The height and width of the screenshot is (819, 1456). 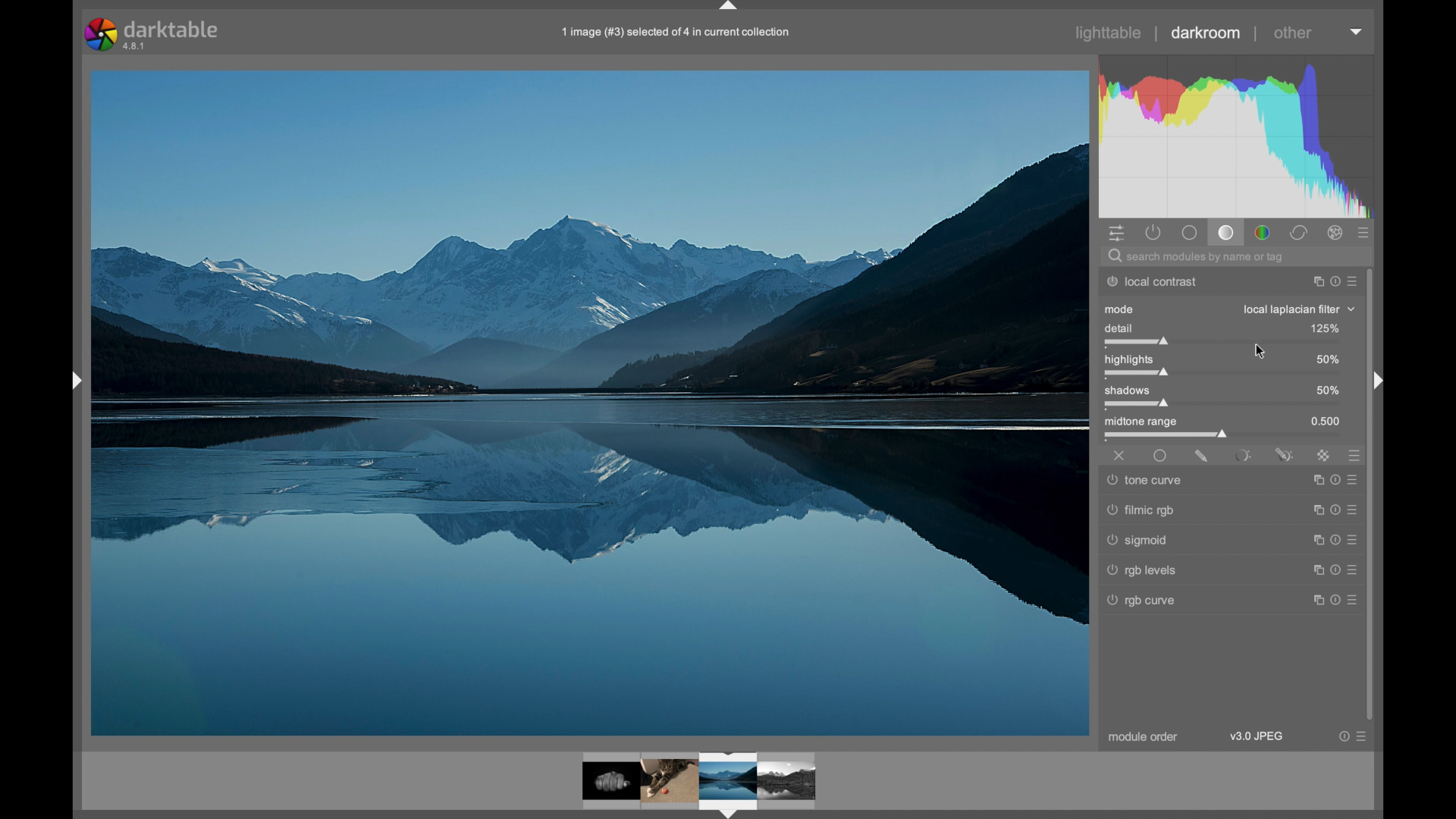 What do you see at coordinates (1130, 360) in the screenshot?
I see `highlights` at bounding box center [1130, 360].